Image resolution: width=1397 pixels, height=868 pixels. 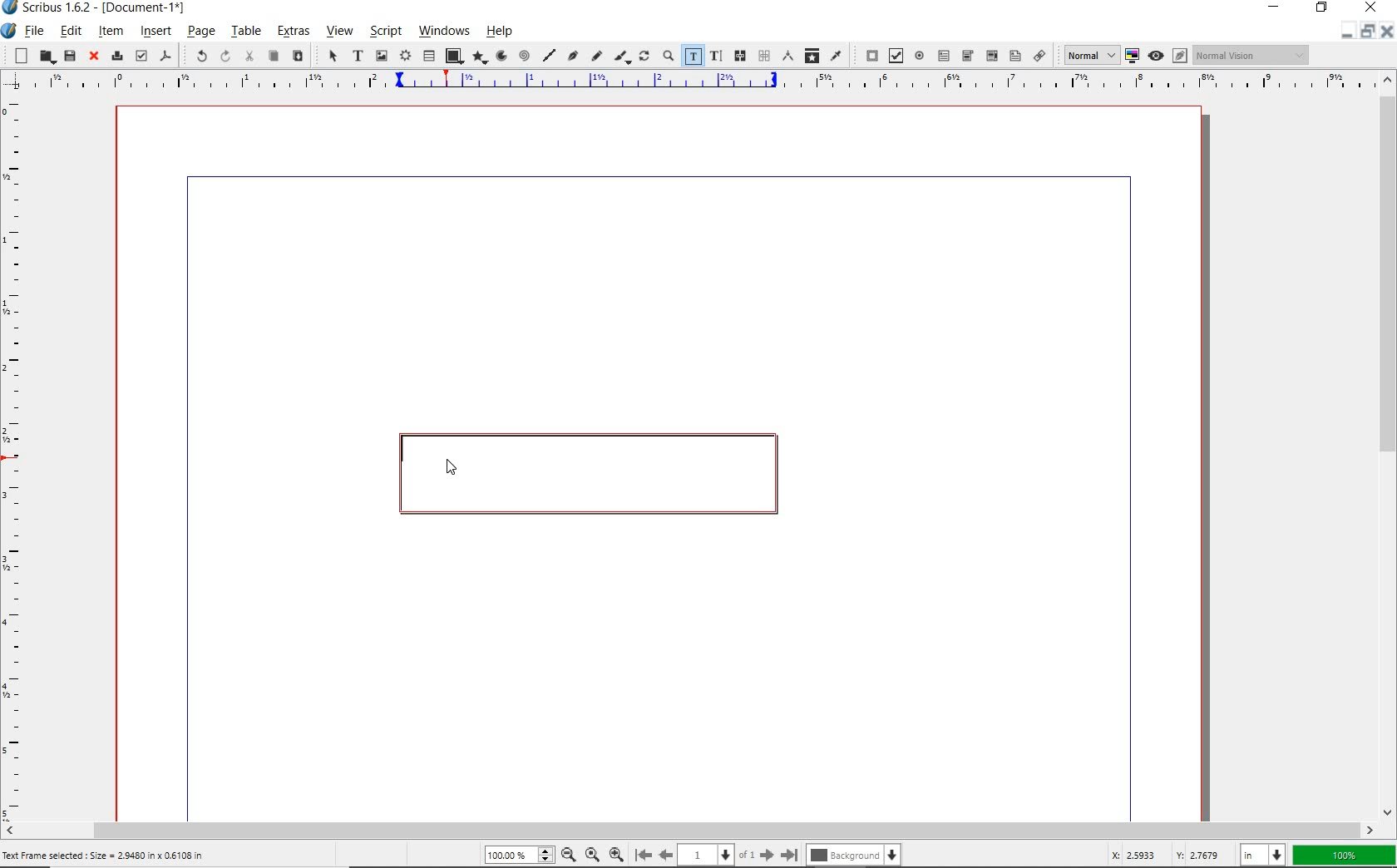 What do you see at coordinates (943, 55) in the screenshot?
I see `pdf text field` at bounding box center [943, 55].